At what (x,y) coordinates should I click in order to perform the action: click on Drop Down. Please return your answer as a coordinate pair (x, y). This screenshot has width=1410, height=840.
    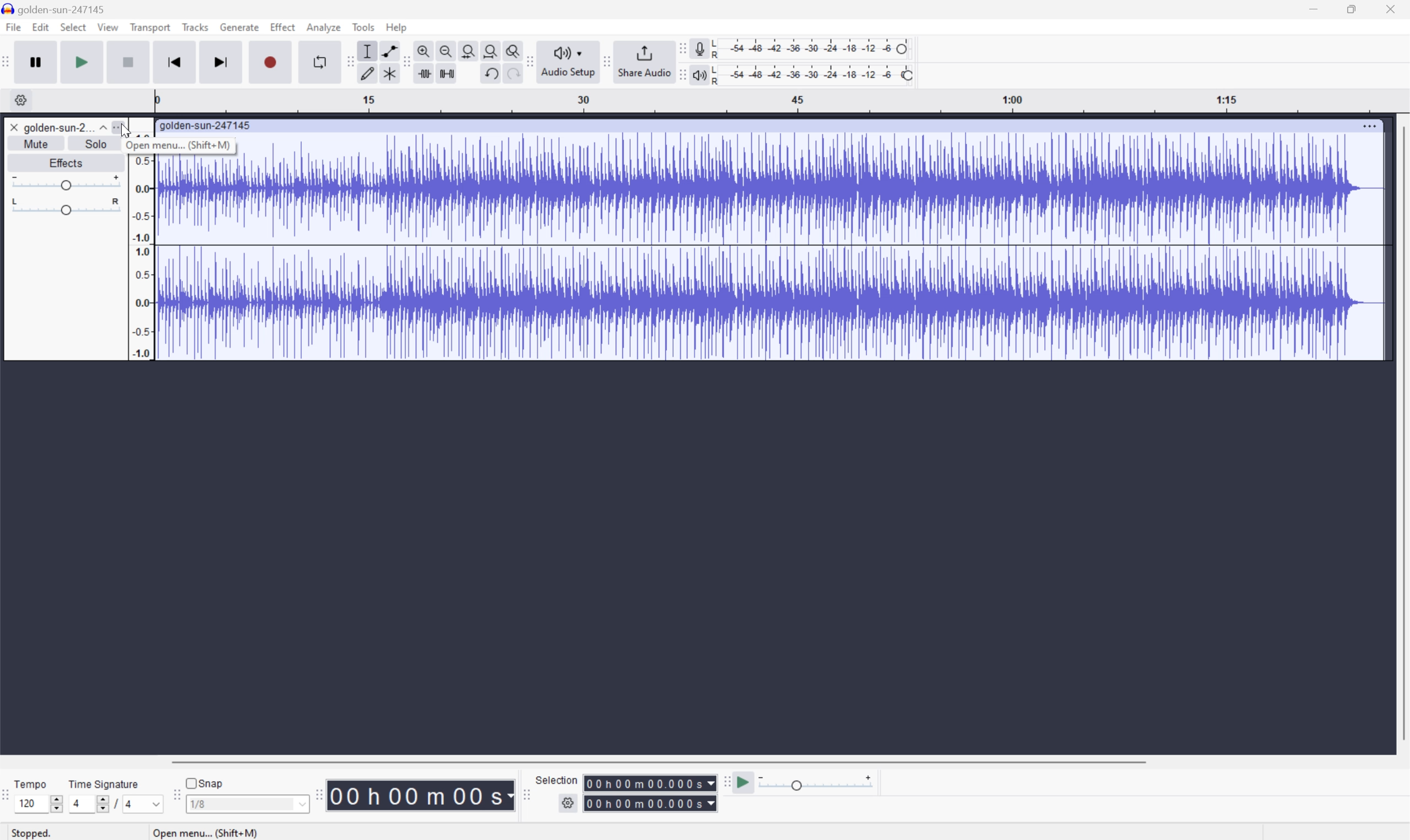
    Looking at the image, I should click on (101, 127).